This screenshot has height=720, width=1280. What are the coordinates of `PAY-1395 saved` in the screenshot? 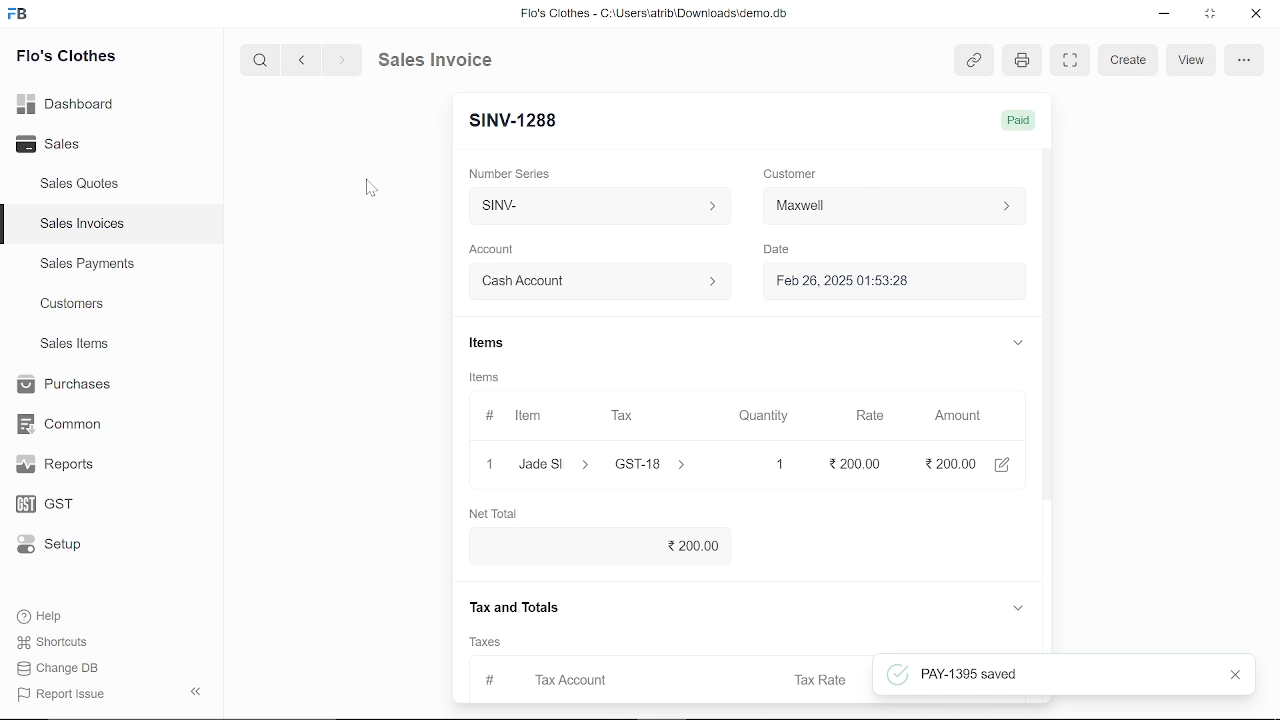 It's located at (1062, 675).